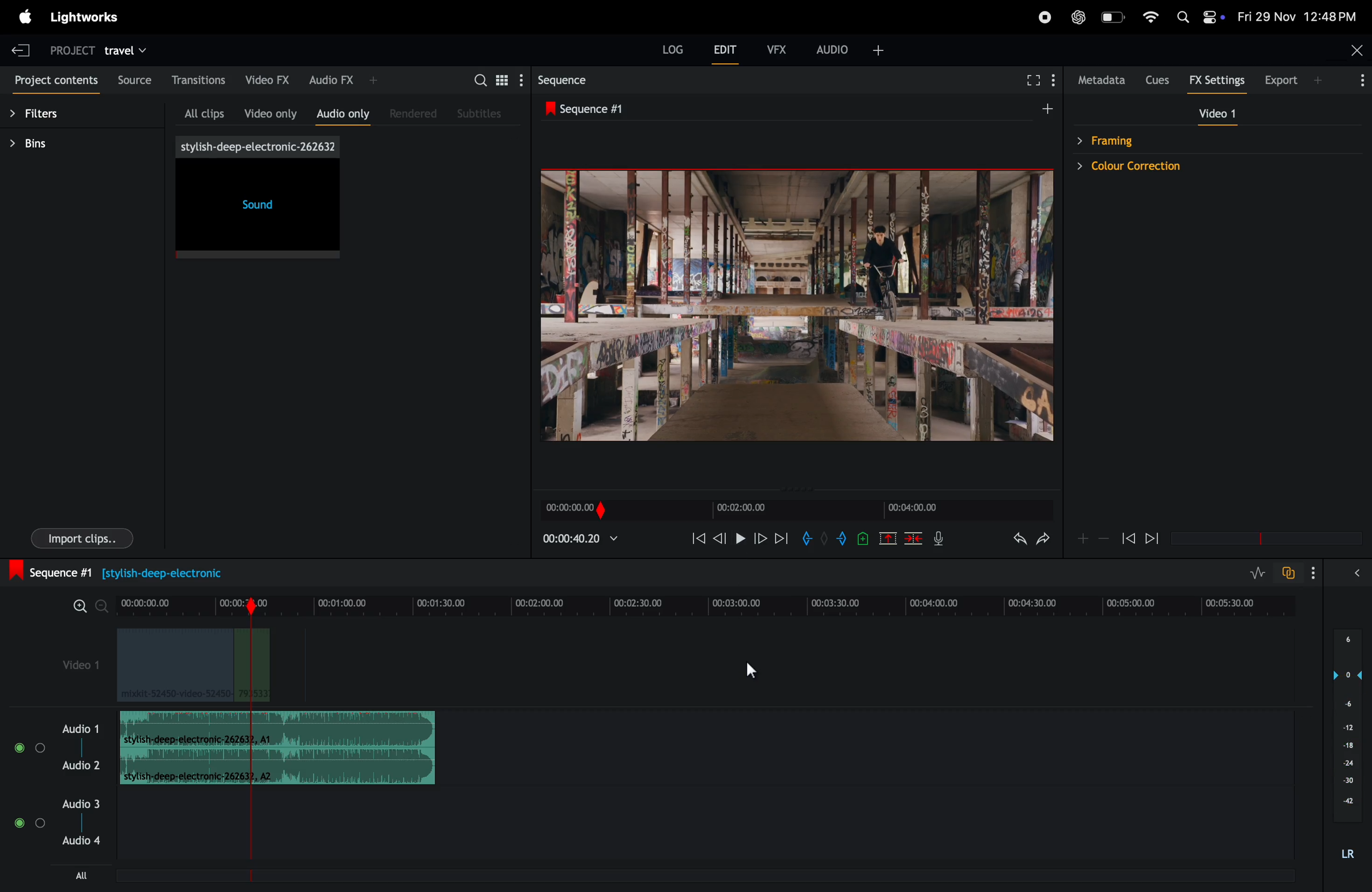  Describe the element at coordinates (862, 538) in the screenshot. I see `add cue to current position` at that location.